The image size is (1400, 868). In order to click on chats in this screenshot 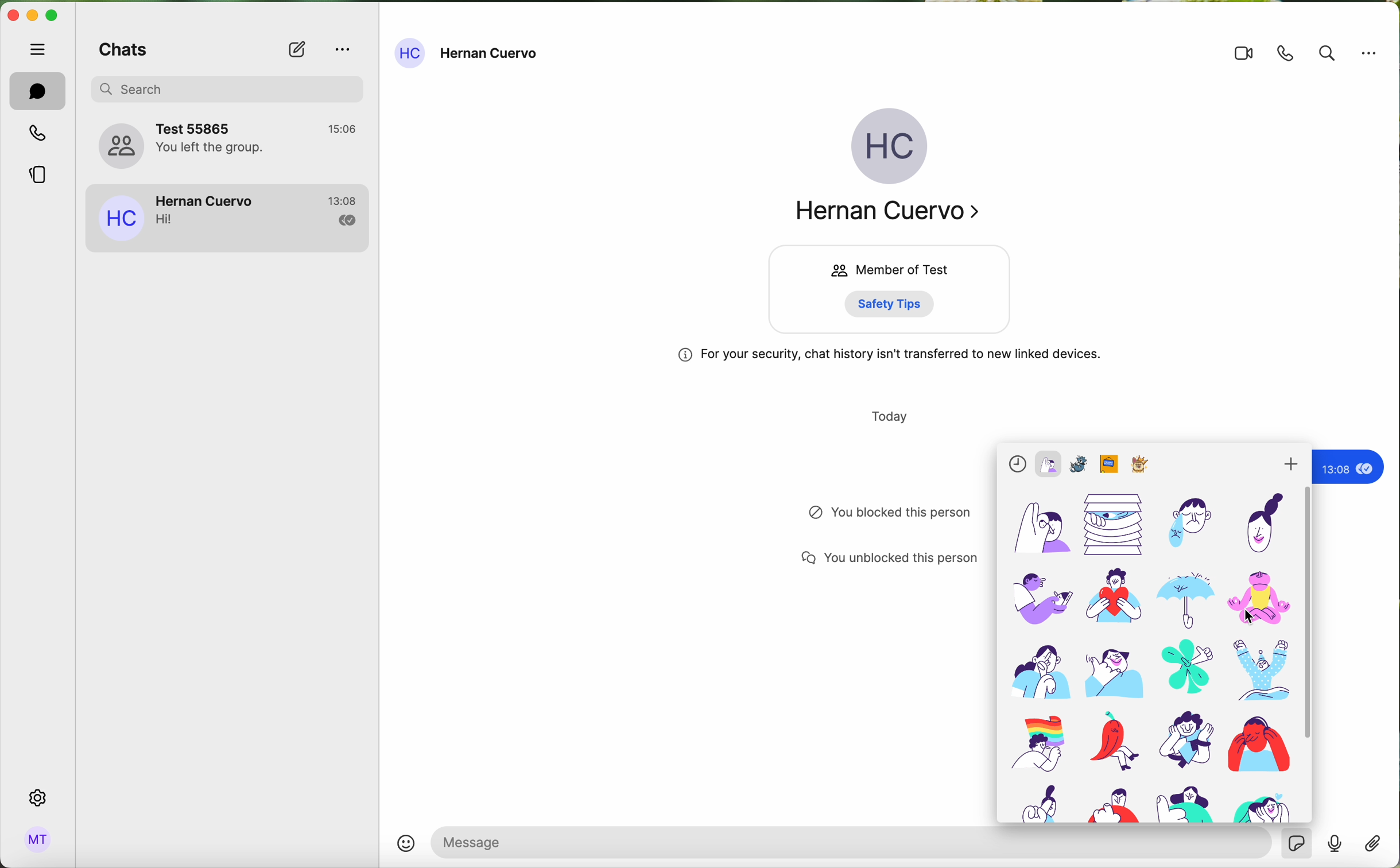, I will do `click(37, 91)`.